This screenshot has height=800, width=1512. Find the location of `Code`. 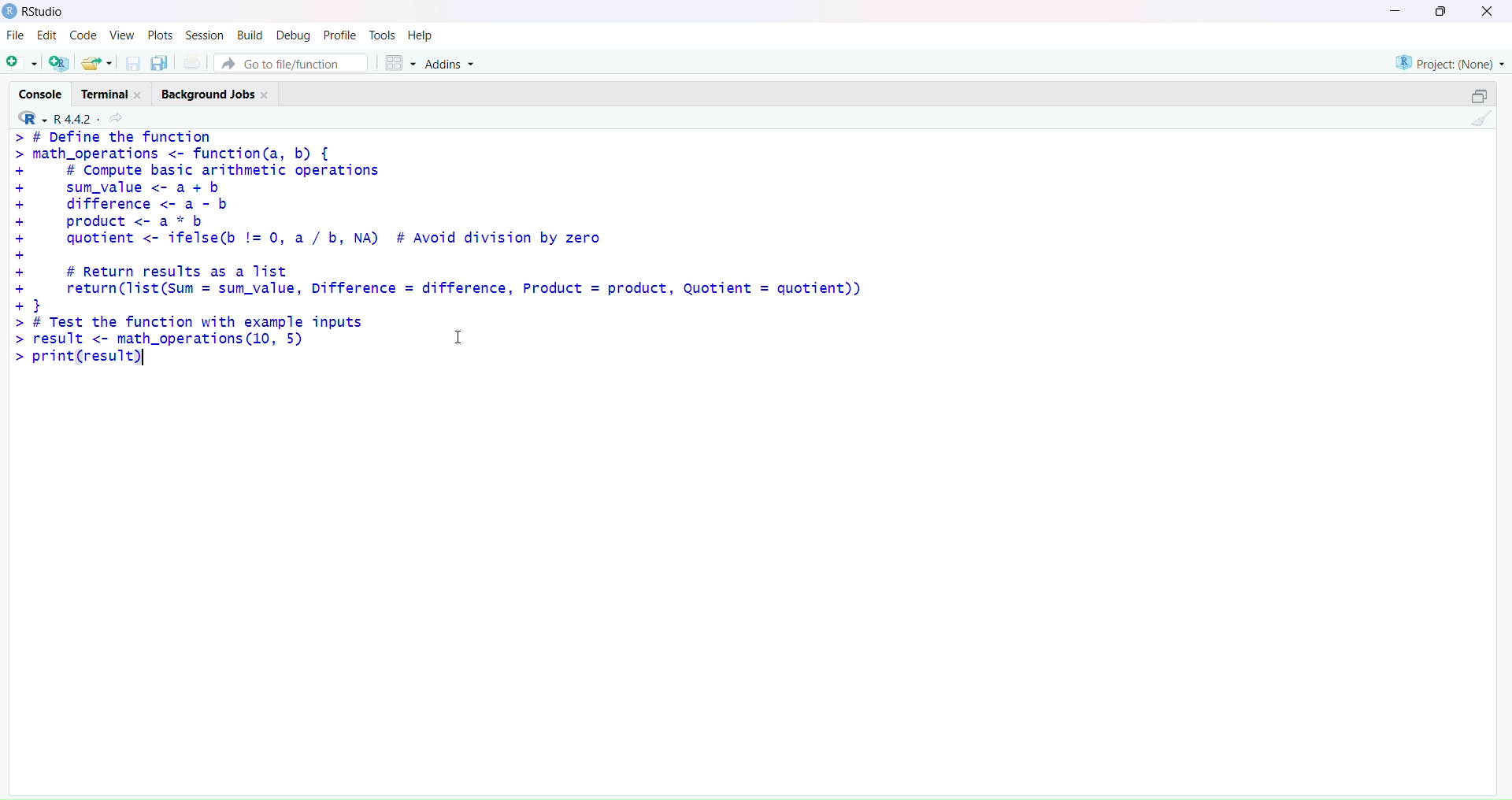

Code is located at coordinates (81, 37).